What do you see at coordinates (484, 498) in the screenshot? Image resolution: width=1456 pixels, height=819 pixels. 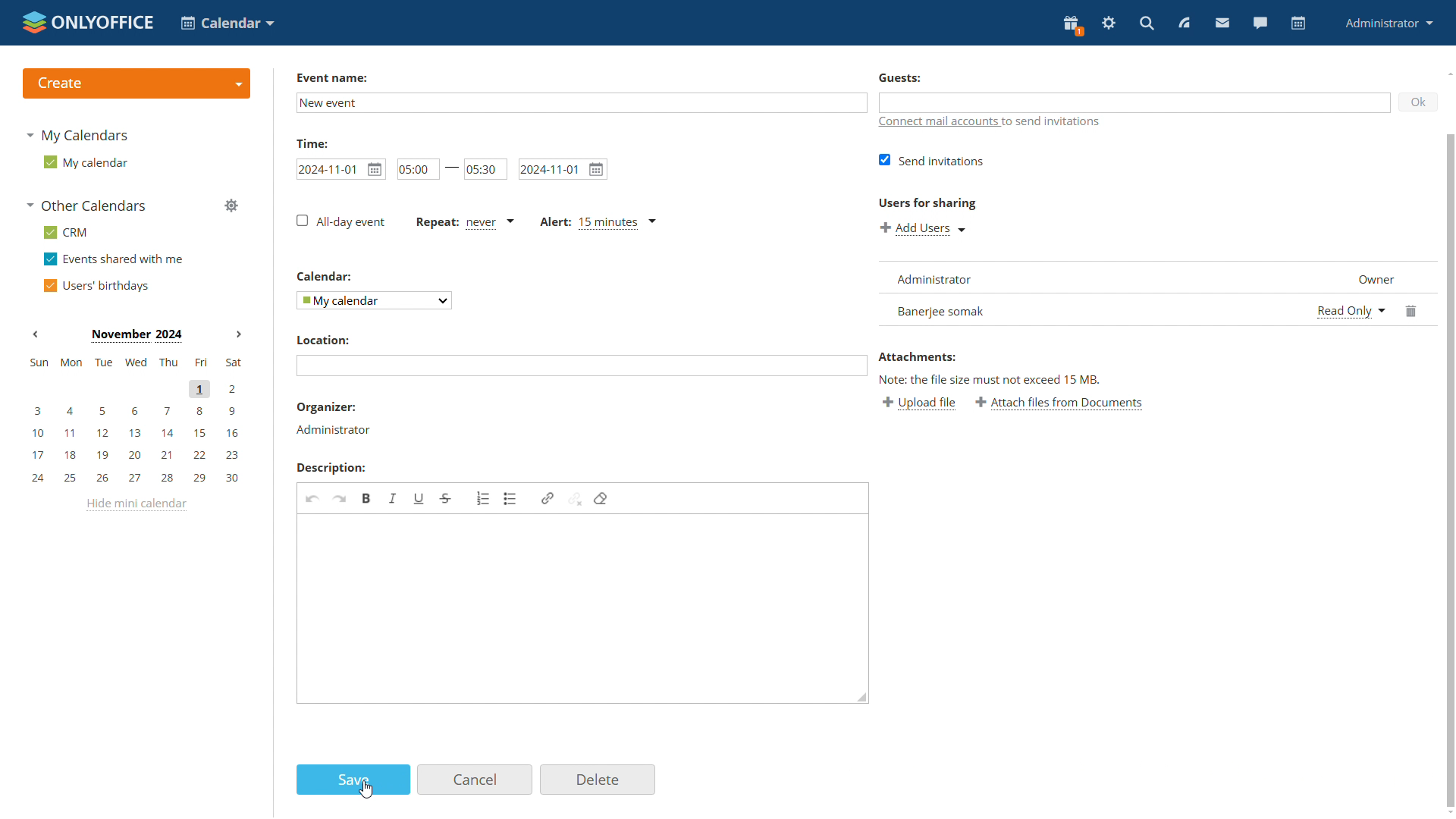 I see `Insert or remove numbered list` at bounding box center [484, 498].